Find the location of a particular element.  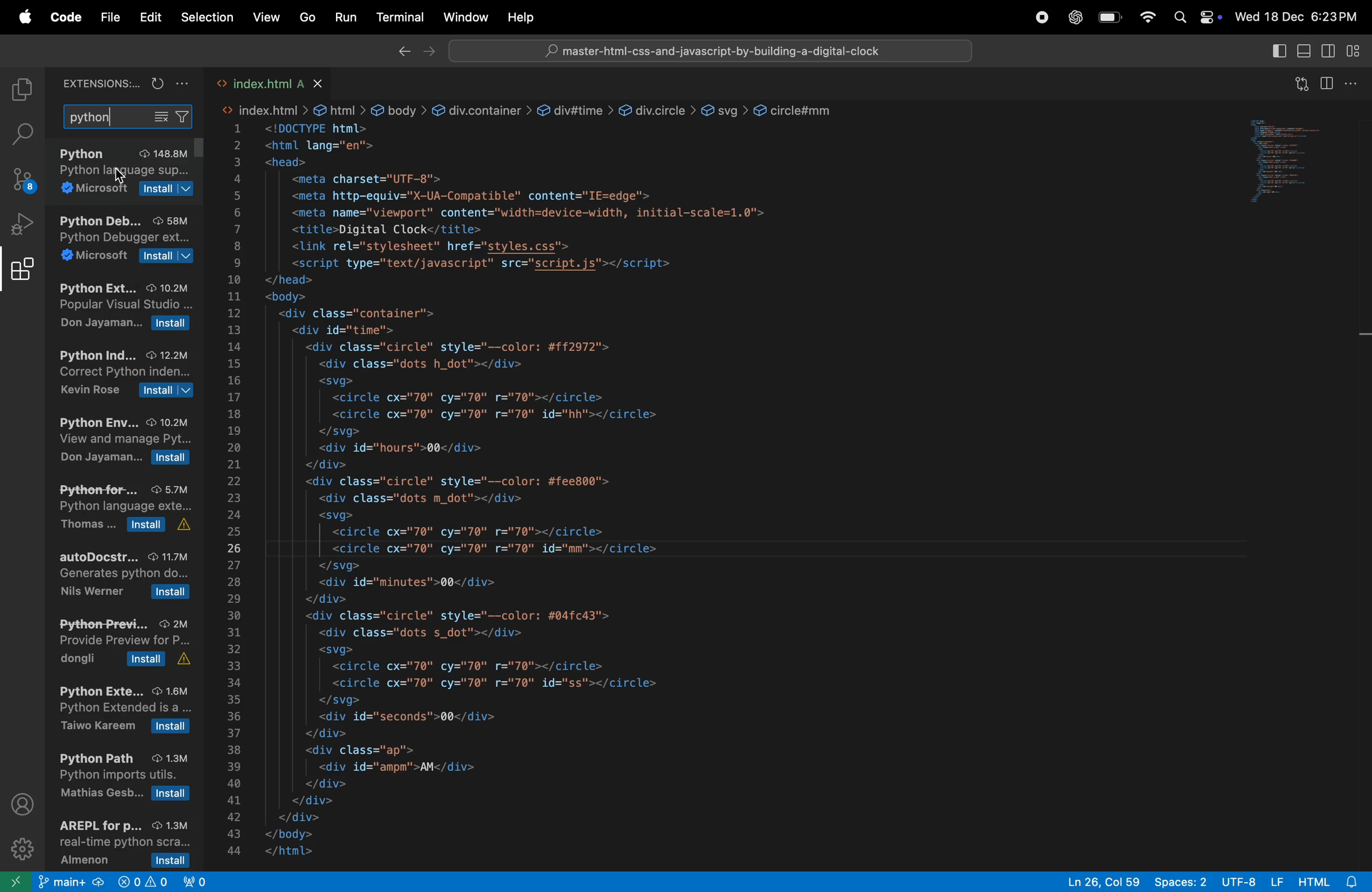

split editor is located at coordinates (1330, 82).